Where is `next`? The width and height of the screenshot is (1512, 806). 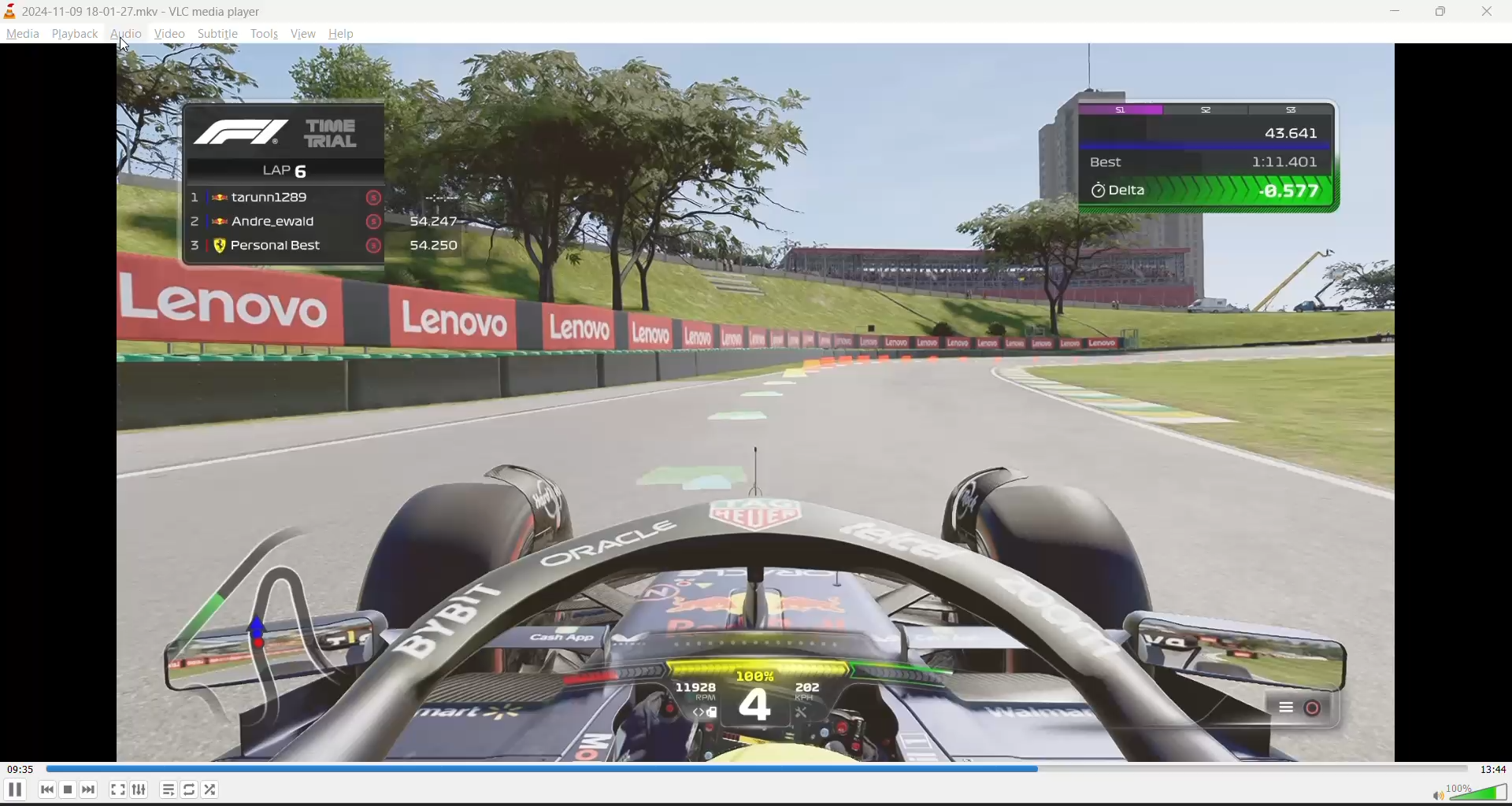
next is located at coordinates (87, 790).